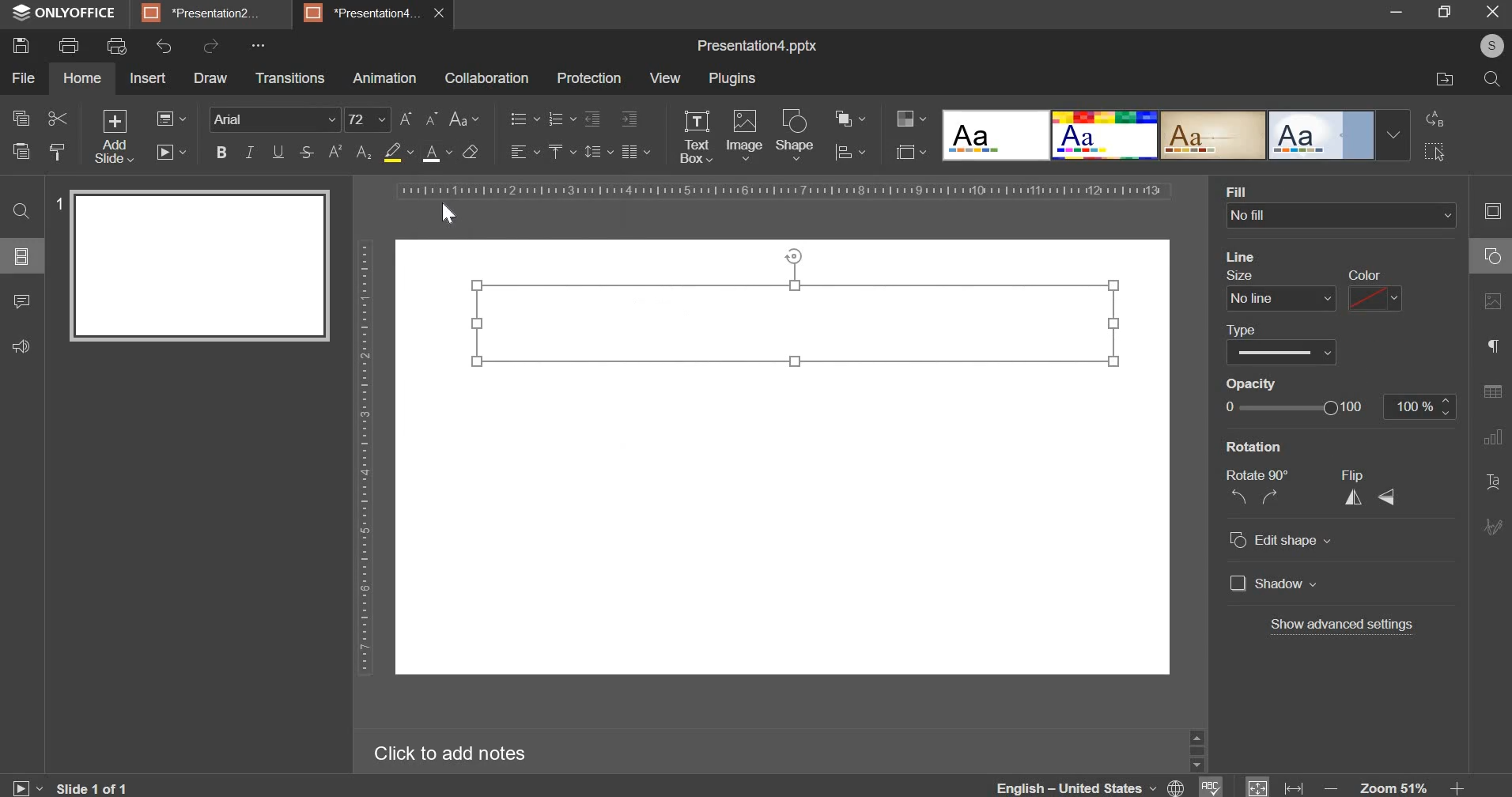  Describe the element at coordinates (365, 11) in the screenshot. I see `Presentation4` at that location.